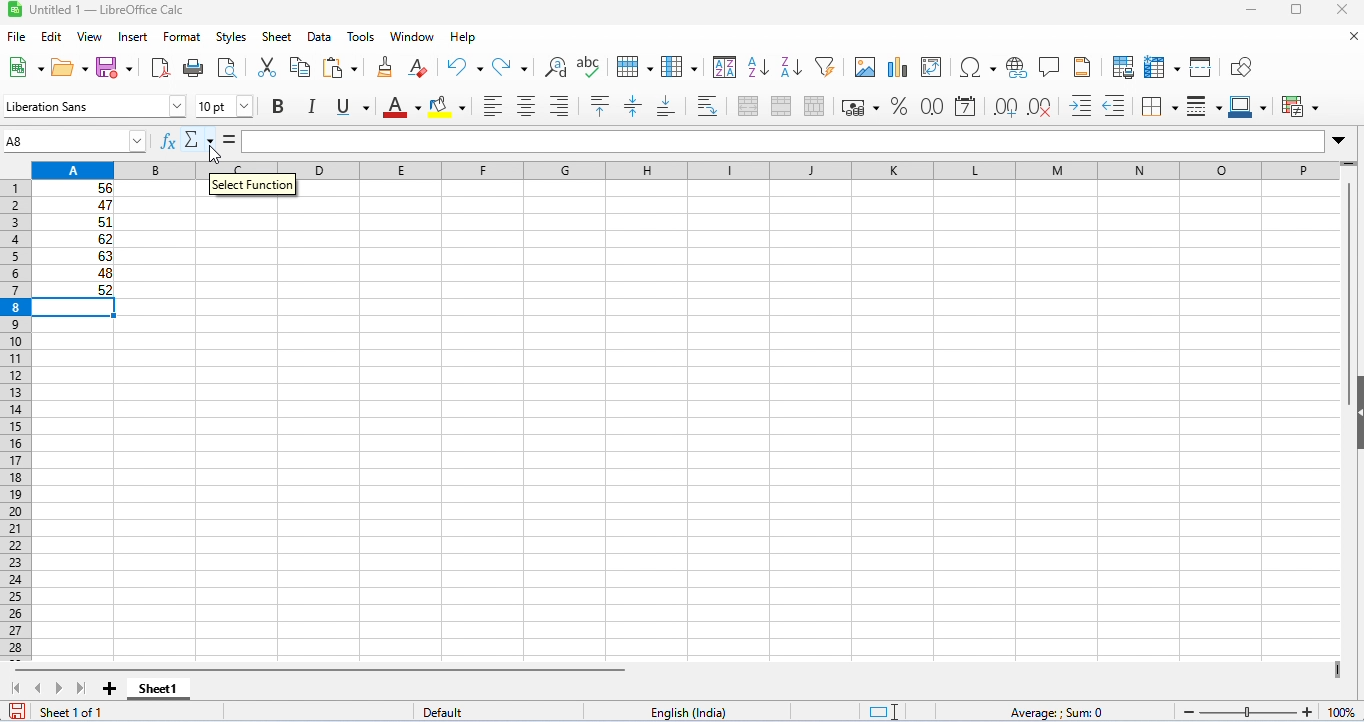  What do you see at coordinates (344, 68) in the screenshot?
I see `paste` at bounding box center [344, 68].